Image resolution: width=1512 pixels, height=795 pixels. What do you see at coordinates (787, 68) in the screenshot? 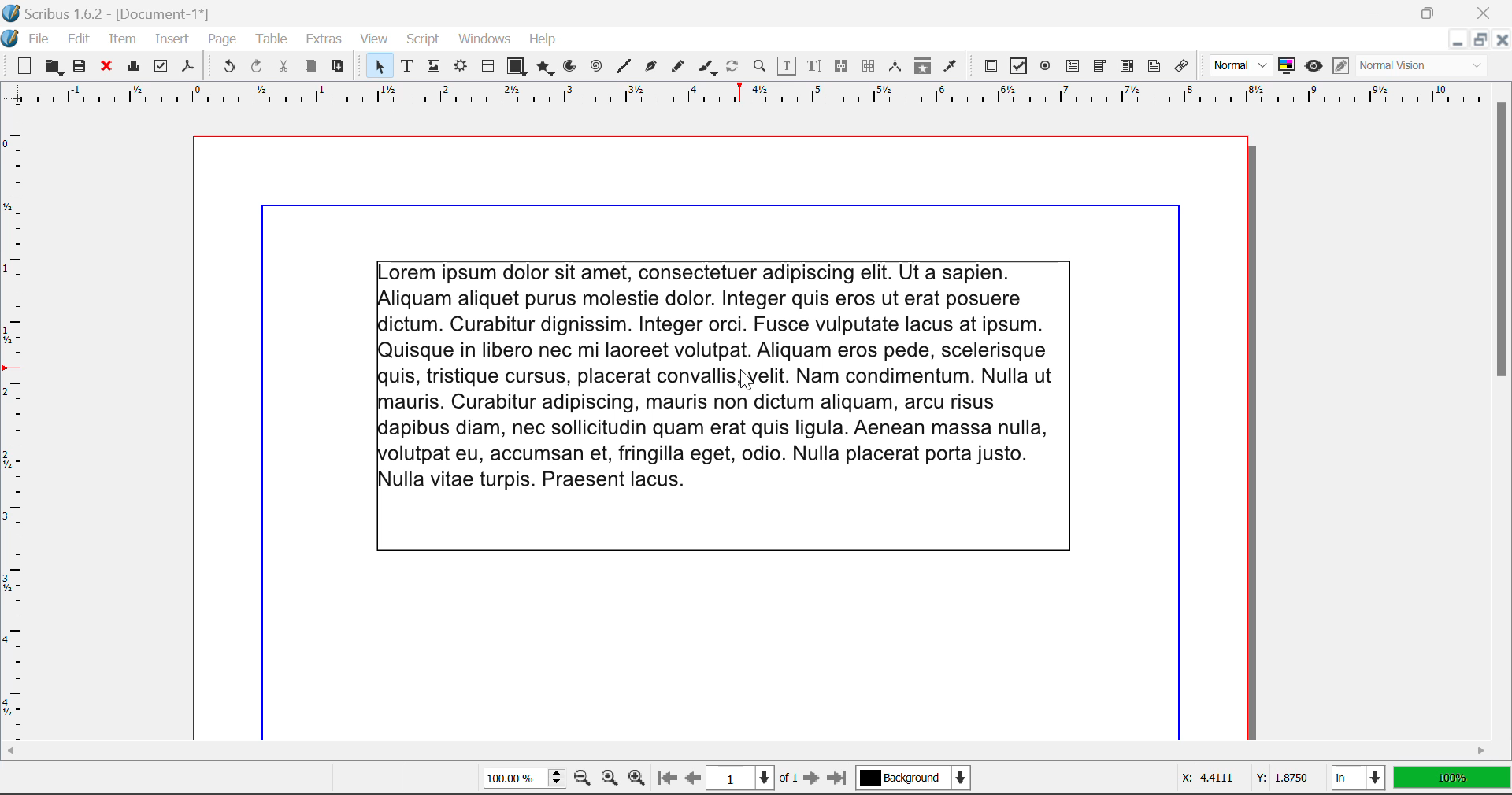
I see `Edit Contents of Frame` at bounding box center [787, 68].